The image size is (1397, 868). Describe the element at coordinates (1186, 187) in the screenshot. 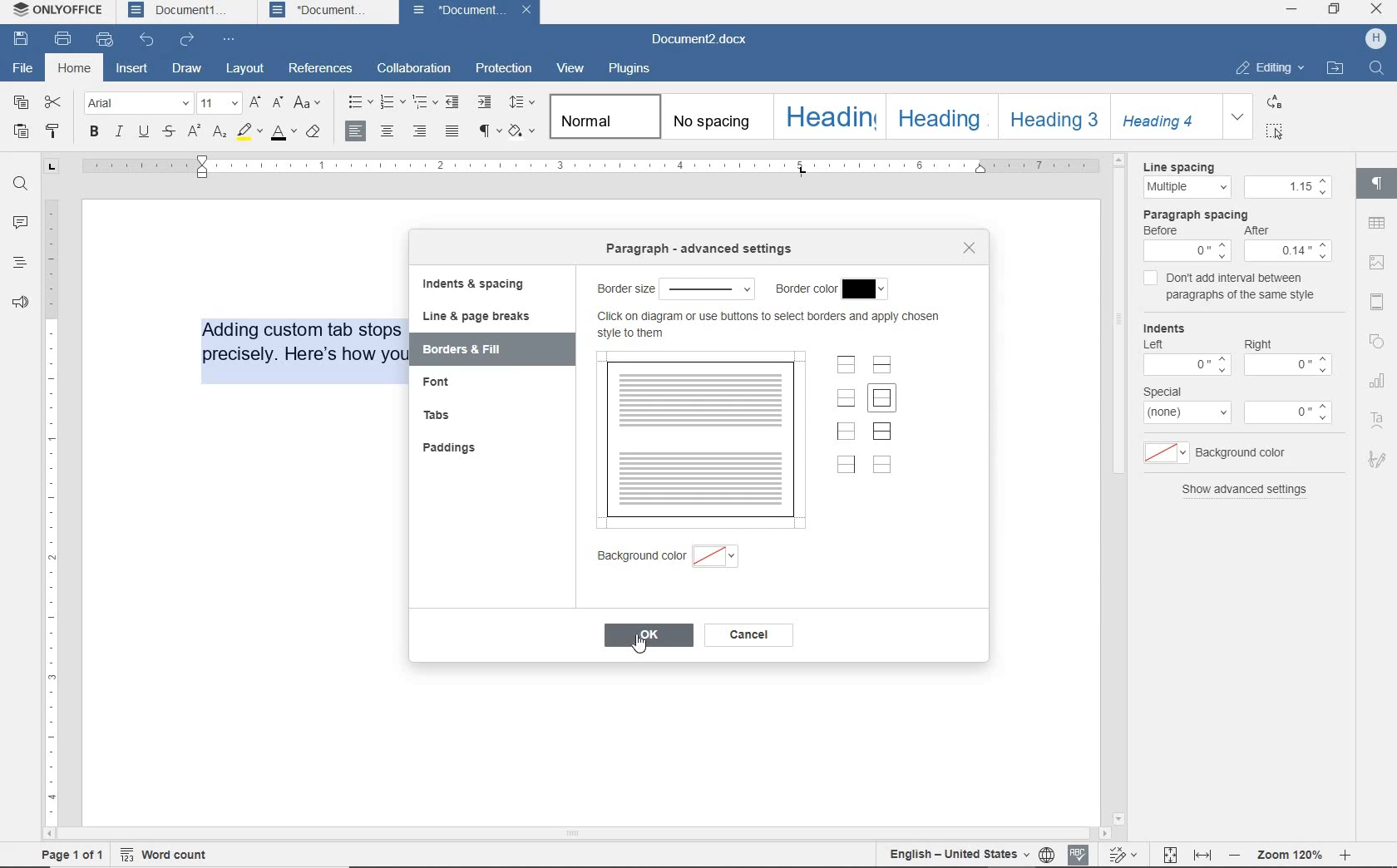

I see `multiple` at that location.